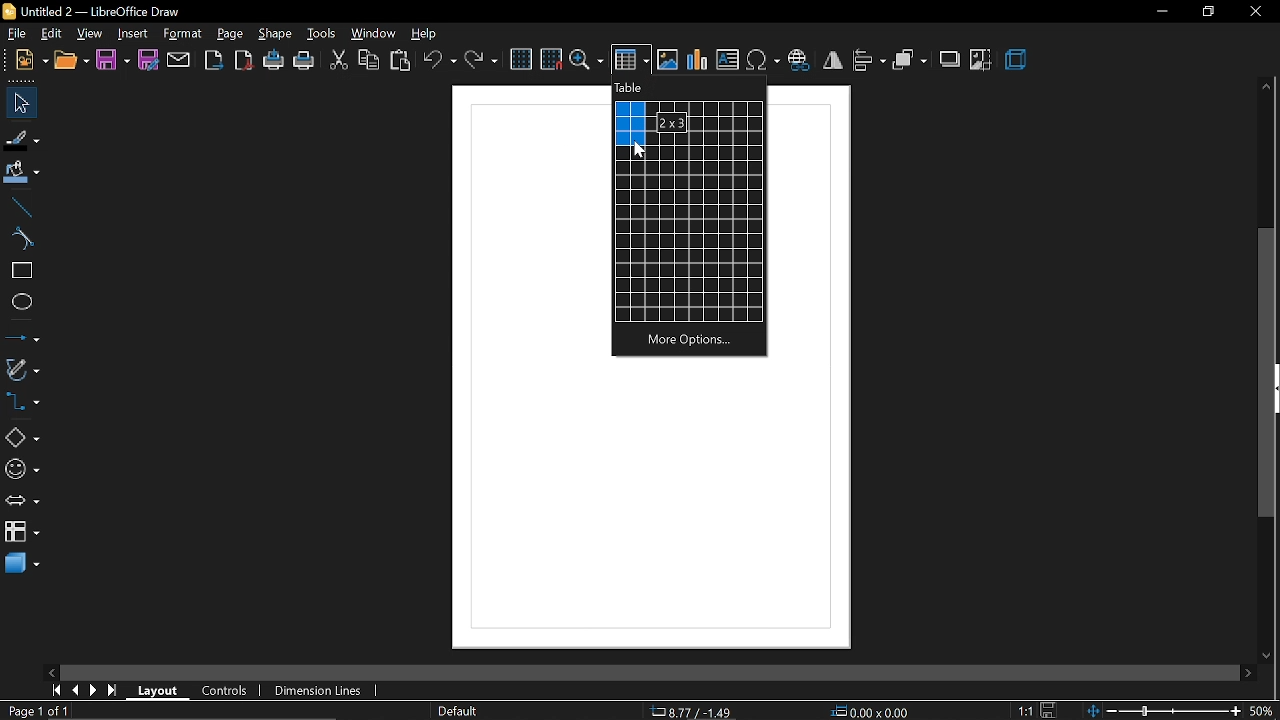 Image resolution: width=1280 pixels, height=720 pixels. Describe the element at coordinates (982, 60) in the screenshot. I see `crop` at that location.